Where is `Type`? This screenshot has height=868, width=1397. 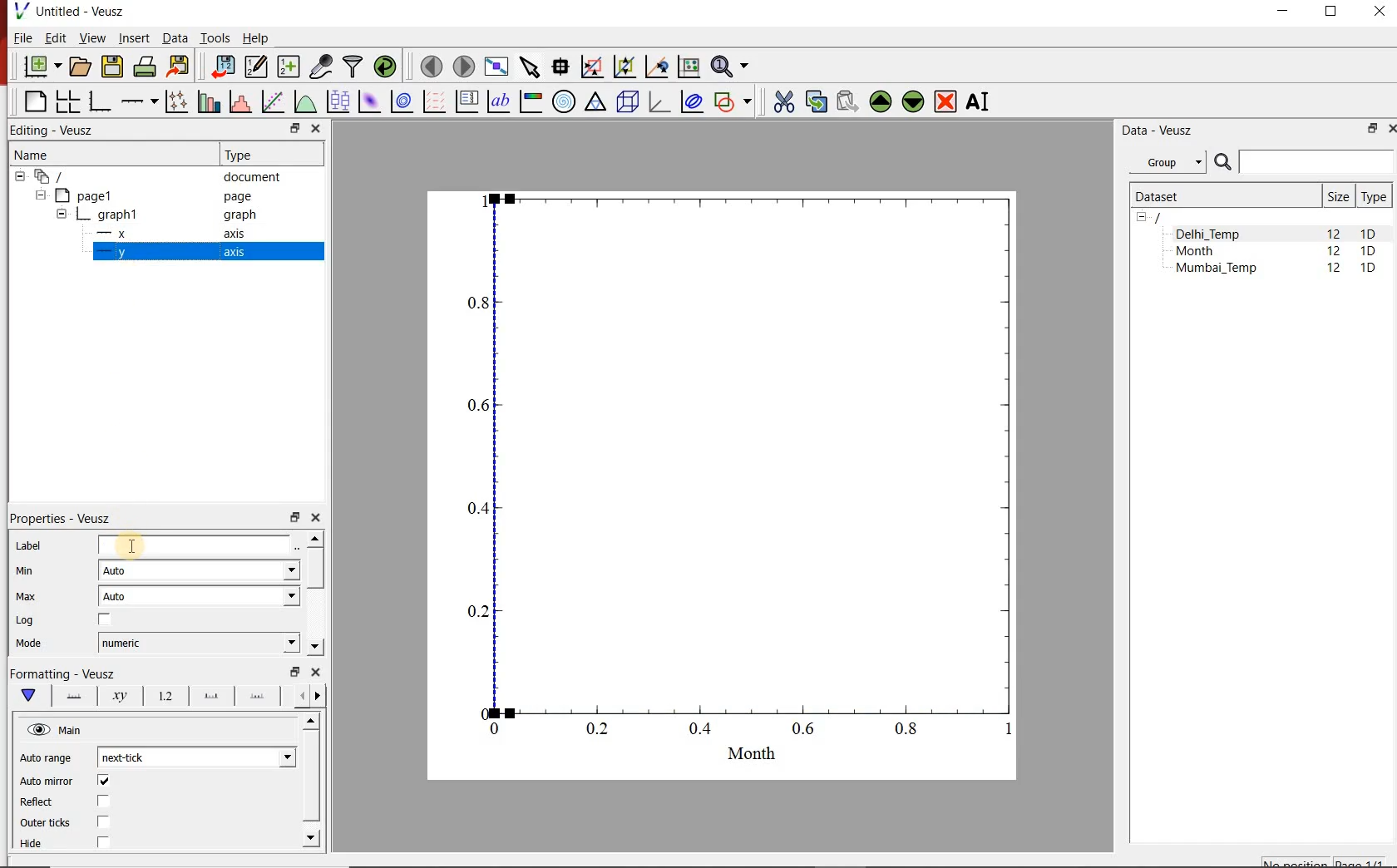 Type is located at coordinates (245, 155).